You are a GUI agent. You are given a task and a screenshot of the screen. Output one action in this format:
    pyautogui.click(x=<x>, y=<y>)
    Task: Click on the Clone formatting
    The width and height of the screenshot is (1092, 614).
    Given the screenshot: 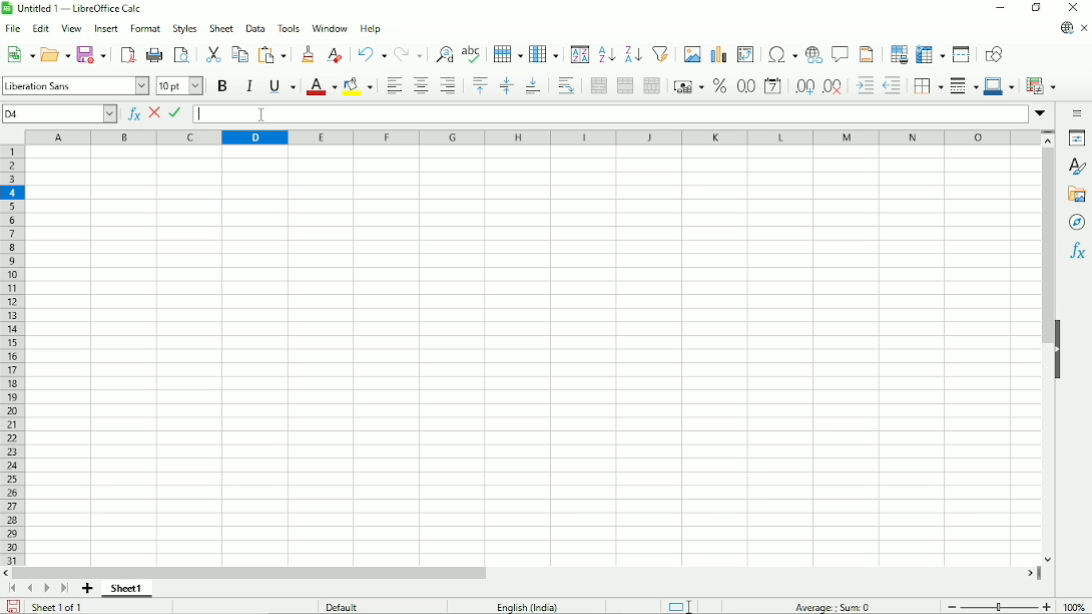 What is the action you would take?
    pyautogui.click(x=306, y=54)
    